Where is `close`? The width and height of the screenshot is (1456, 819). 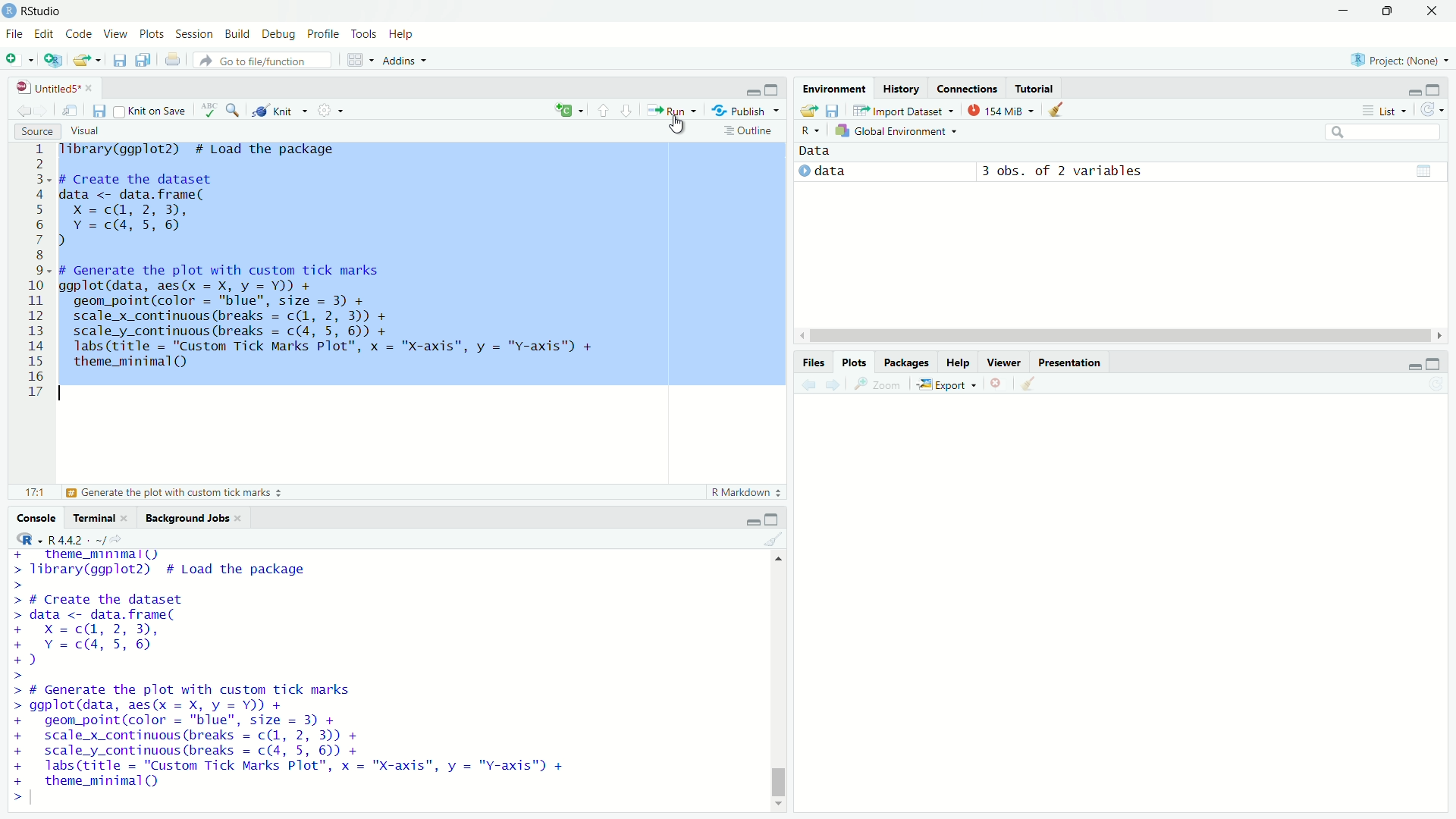 close is located at coordinates (243, 518).